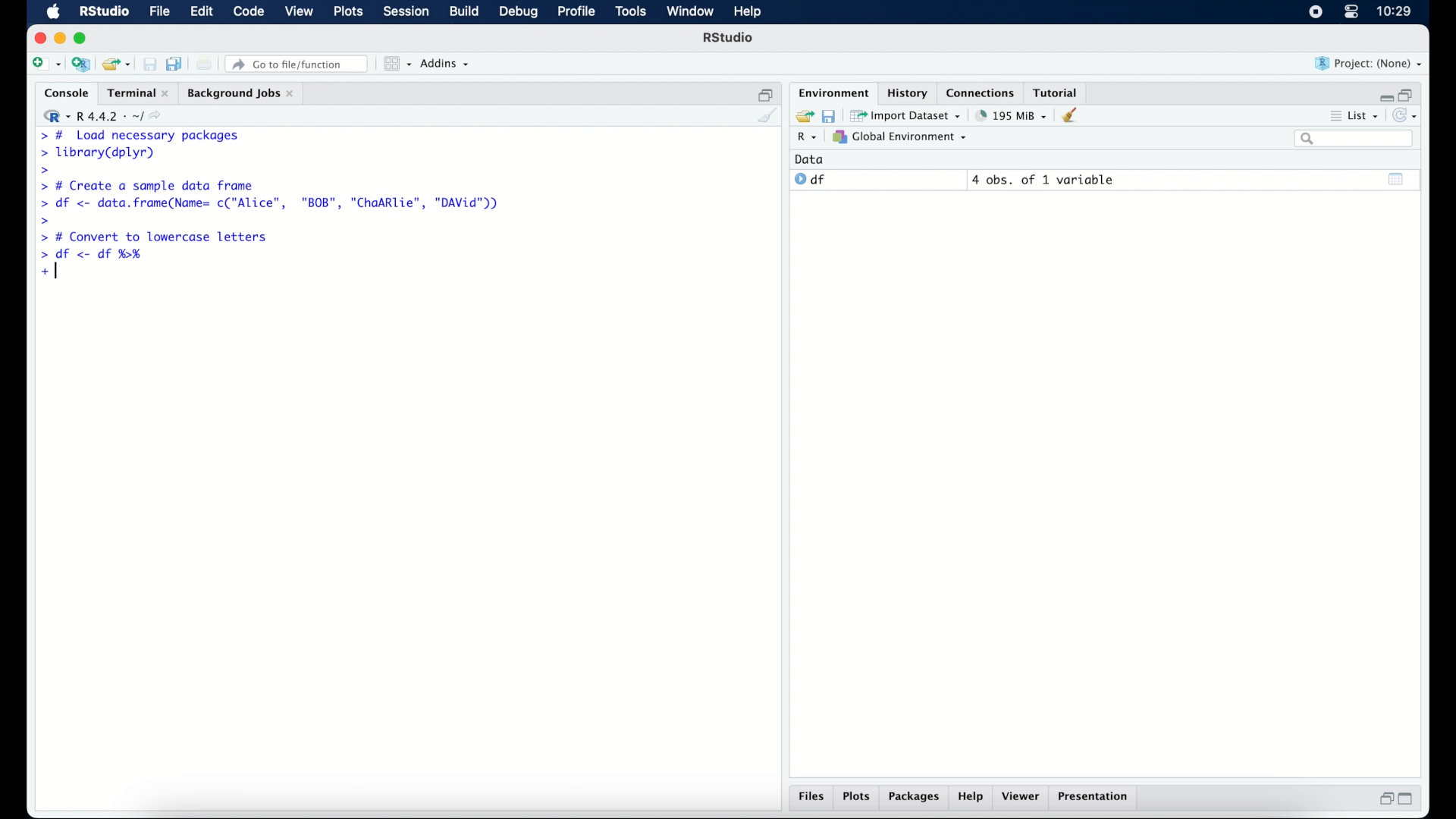 The width and height of the screenshot is (1456, 819). Describe the element at coordinates (805, 139) in the screenshot. I see `R` at that location.